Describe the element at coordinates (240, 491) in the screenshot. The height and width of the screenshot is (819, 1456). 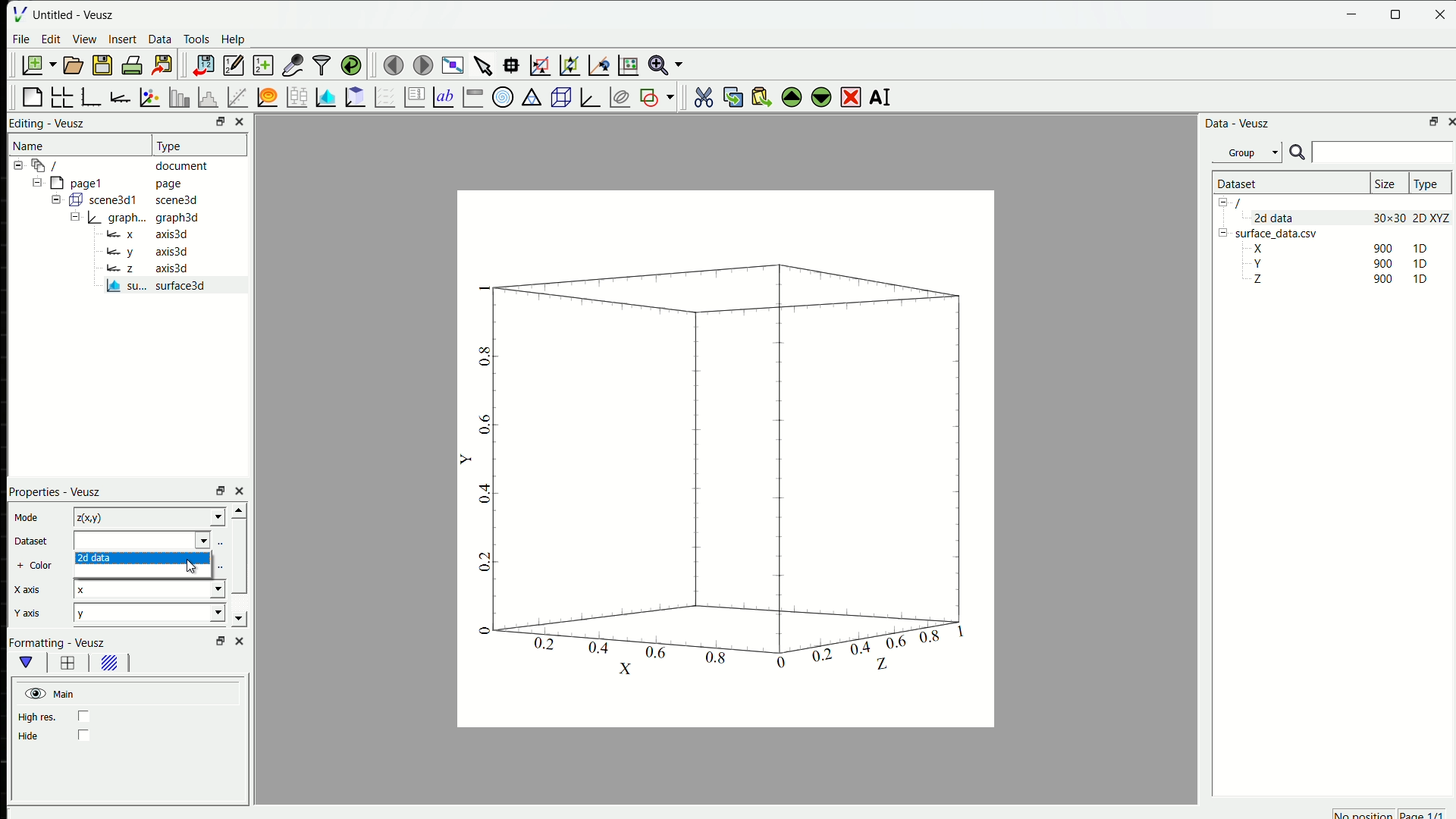
I see `close` at that location.